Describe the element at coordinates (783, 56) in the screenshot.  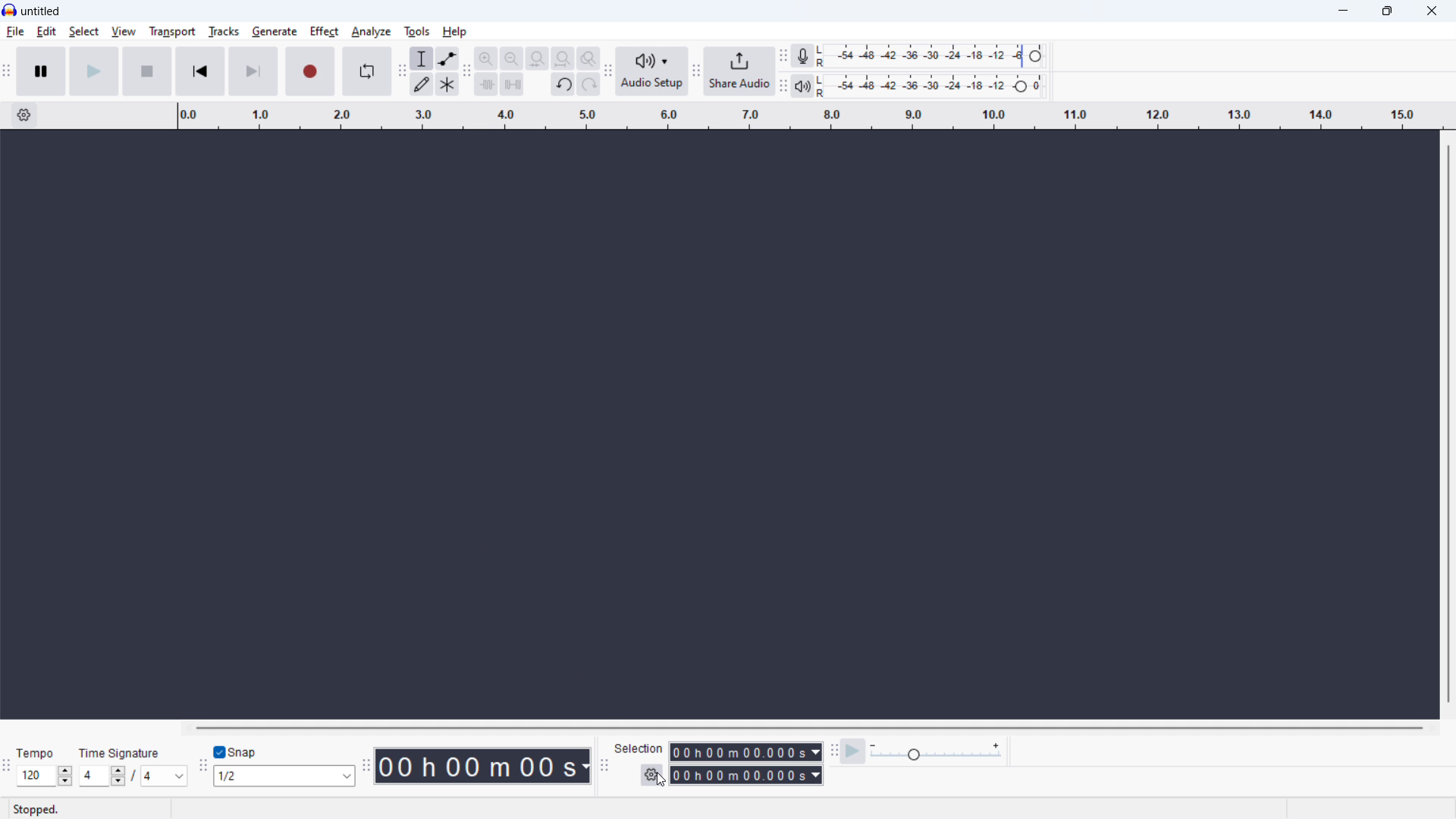
I see `recording meter toolbar` at that location.